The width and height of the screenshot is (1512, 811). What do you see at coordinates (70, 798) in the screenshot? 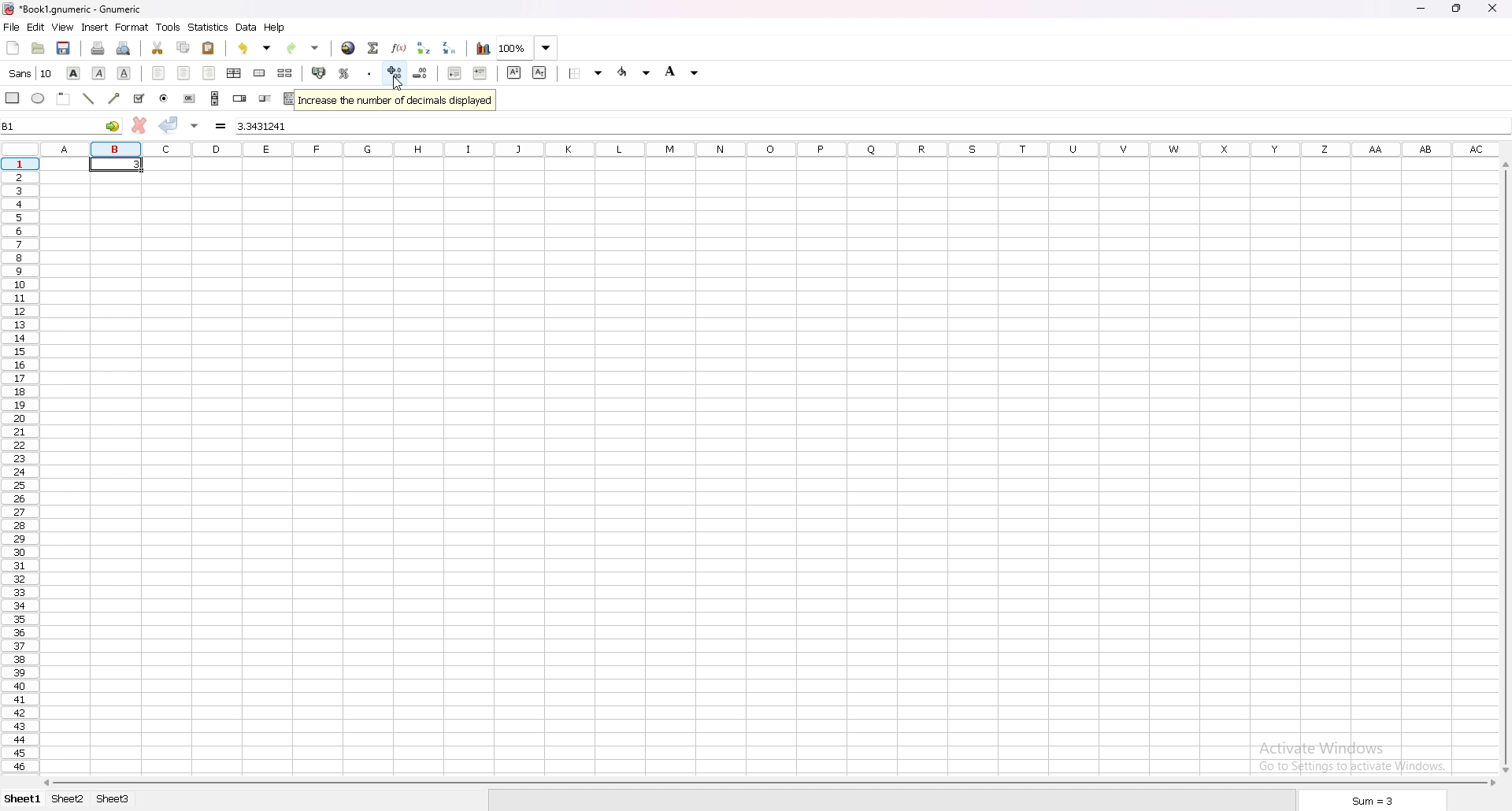
I see `sheet 2` at bounding box center [70, 798].